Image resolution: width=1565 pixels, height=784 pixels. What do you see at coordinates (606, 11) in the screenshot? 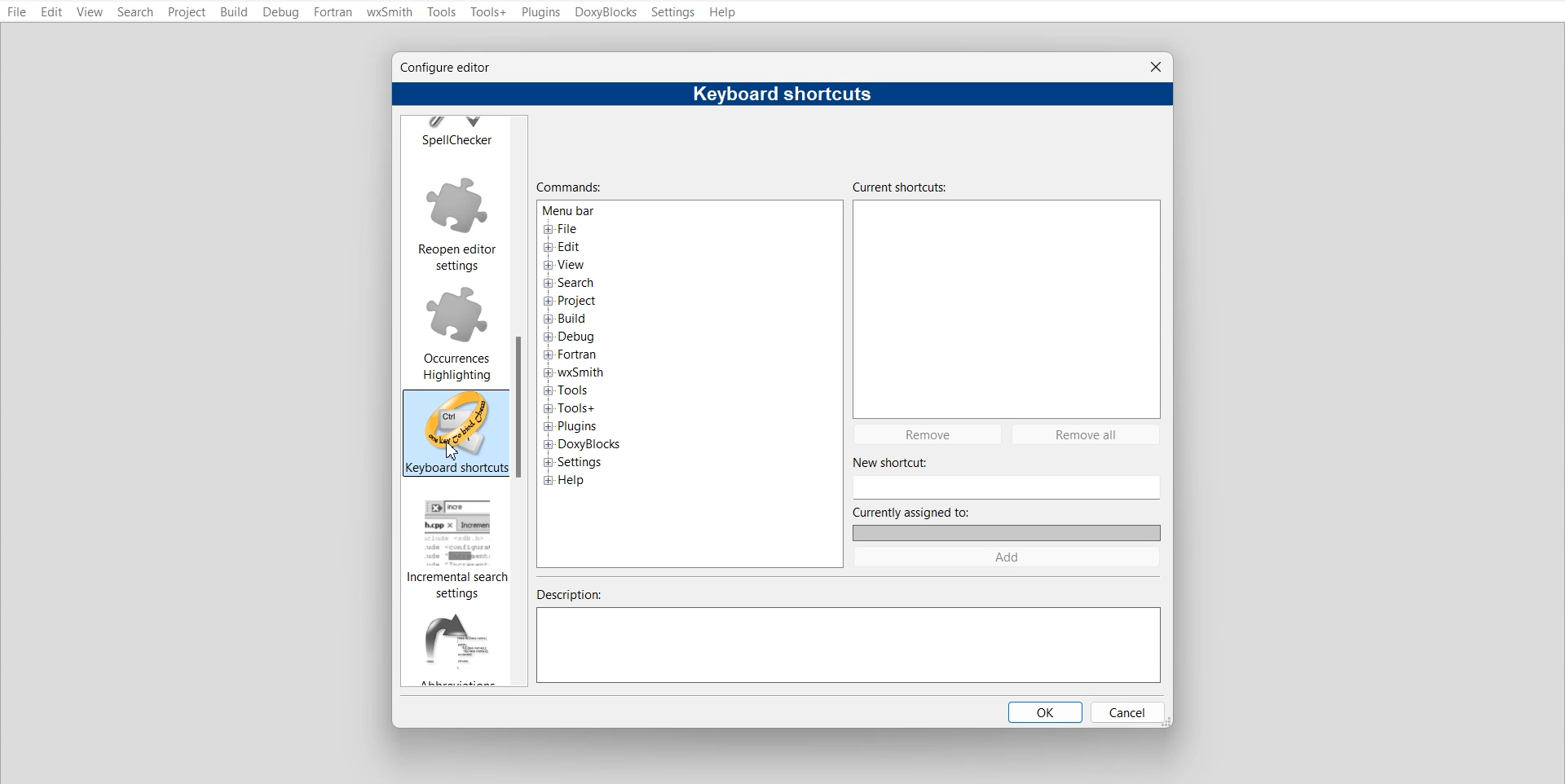
I see `DoxyBlocks` at bounding box center [606, 11].